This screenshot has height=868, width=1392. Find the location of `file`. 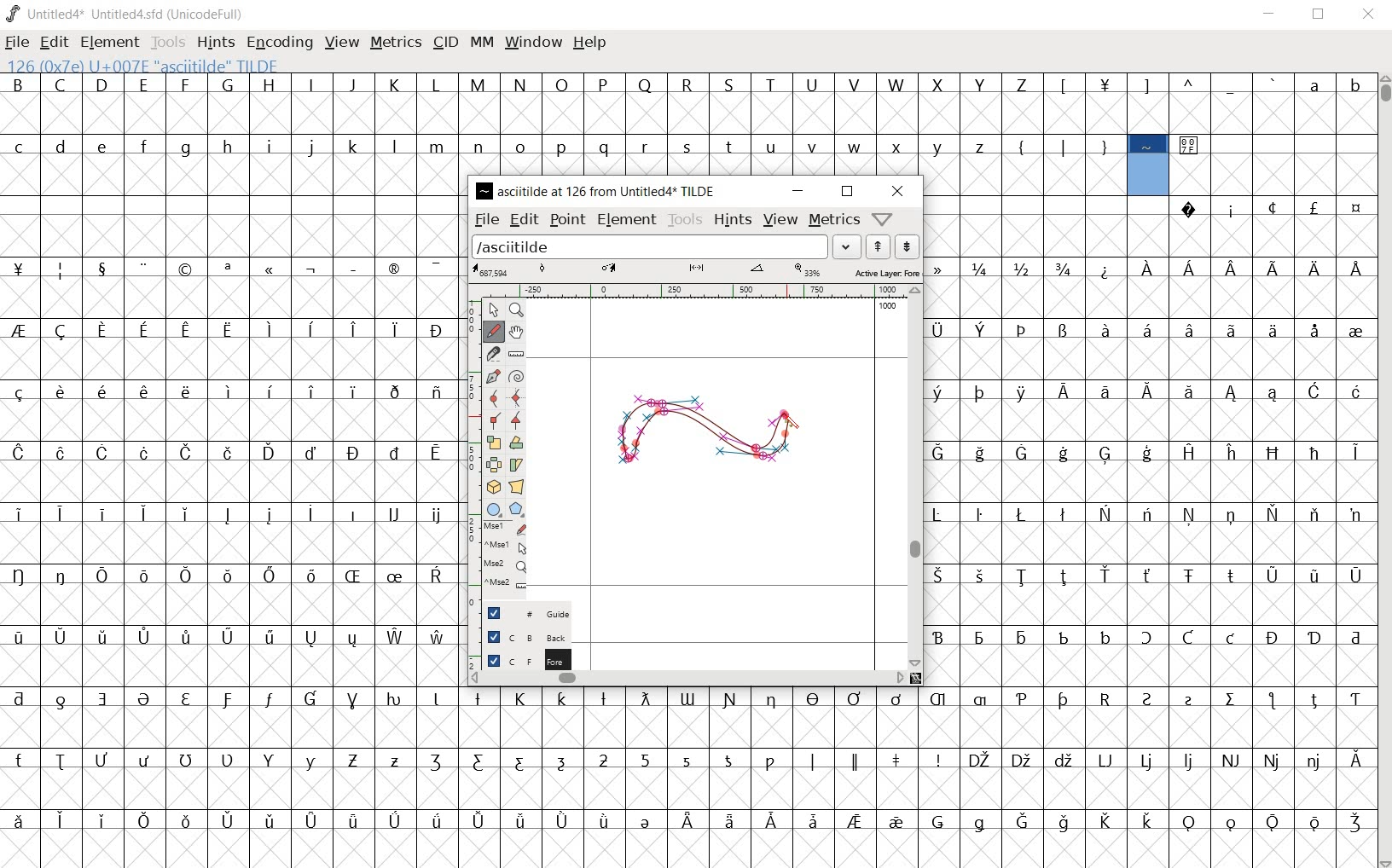

file is located at coordinates (485, 218).